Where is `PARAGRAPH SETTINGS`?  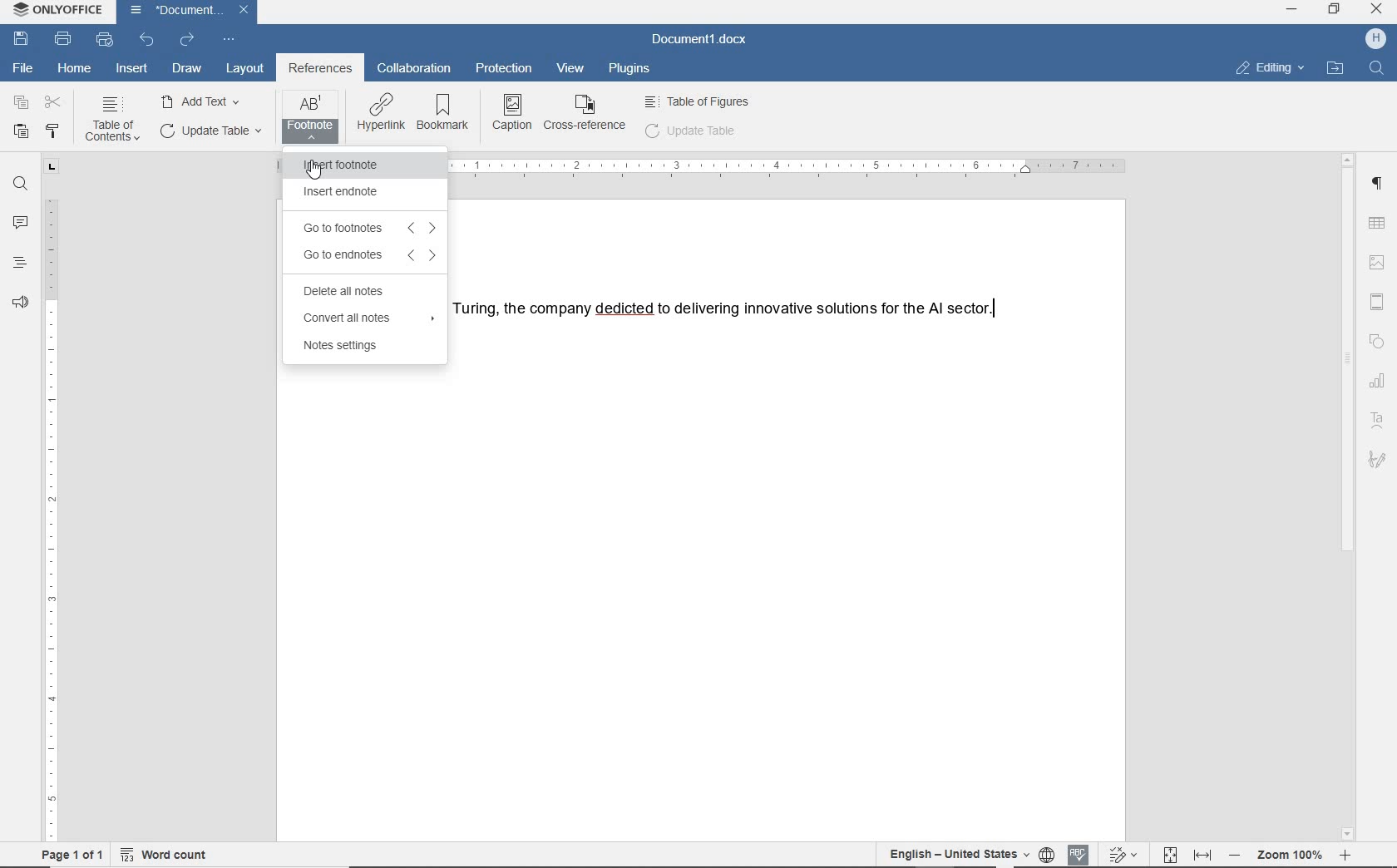
PARAGRAPH SETTINGS is located at coordinates (1379, 185).